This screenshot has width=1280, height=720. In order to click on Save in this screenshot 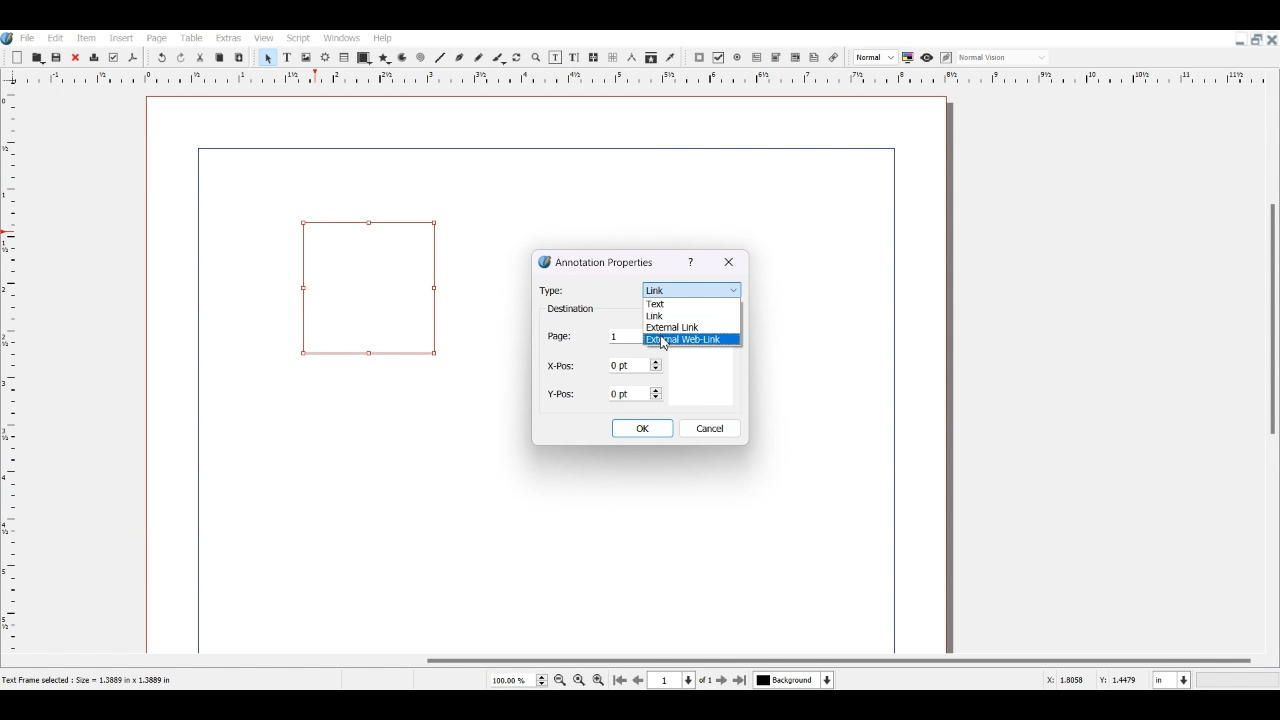, I will do `click(58, 57)`.